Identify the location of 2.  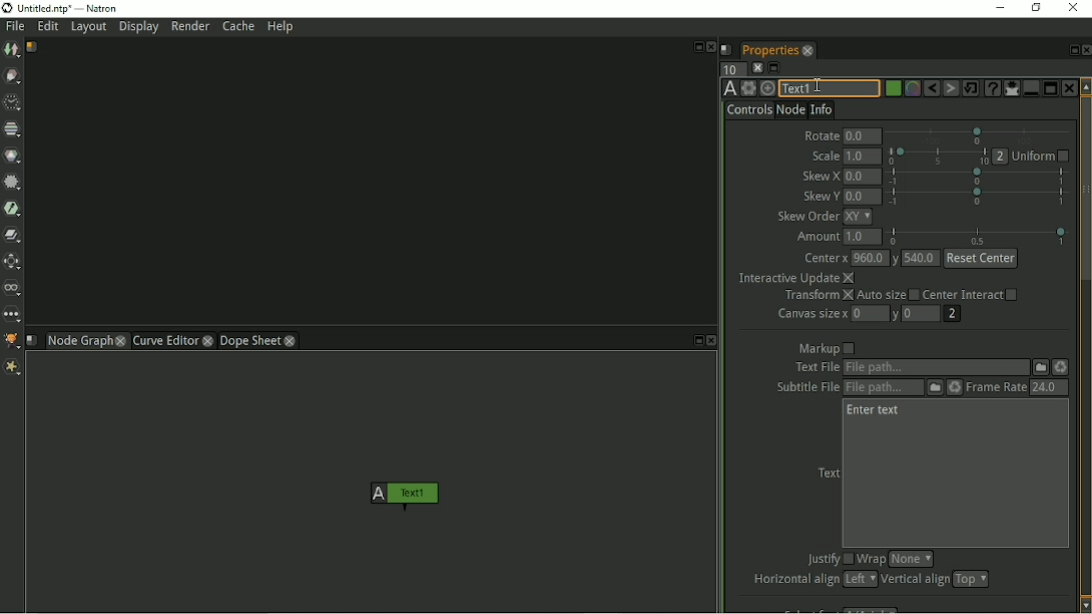
(951, 314).